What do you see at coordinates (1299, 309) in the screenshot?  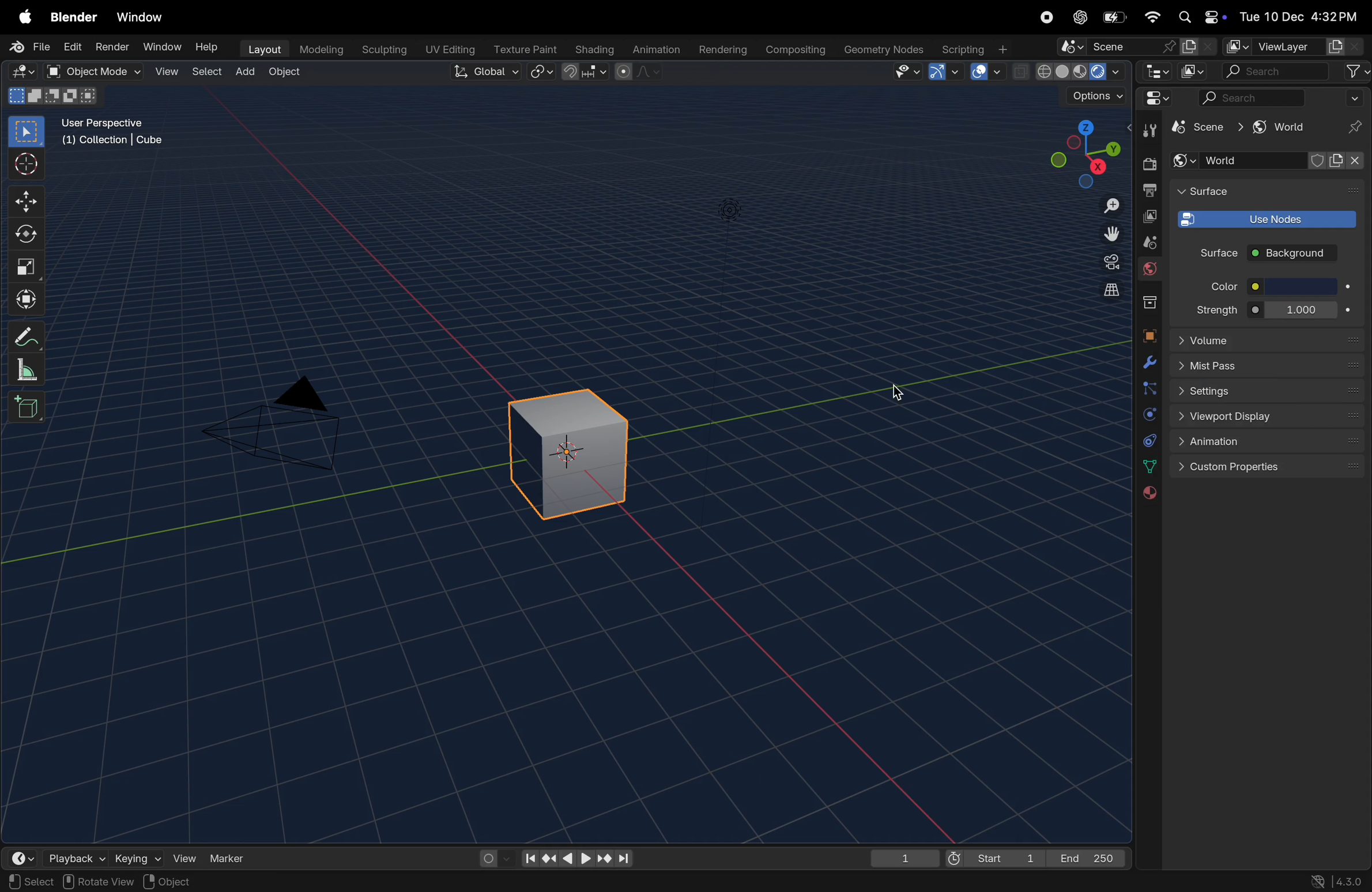 I see `1000` at bounding box center [1299, 309].